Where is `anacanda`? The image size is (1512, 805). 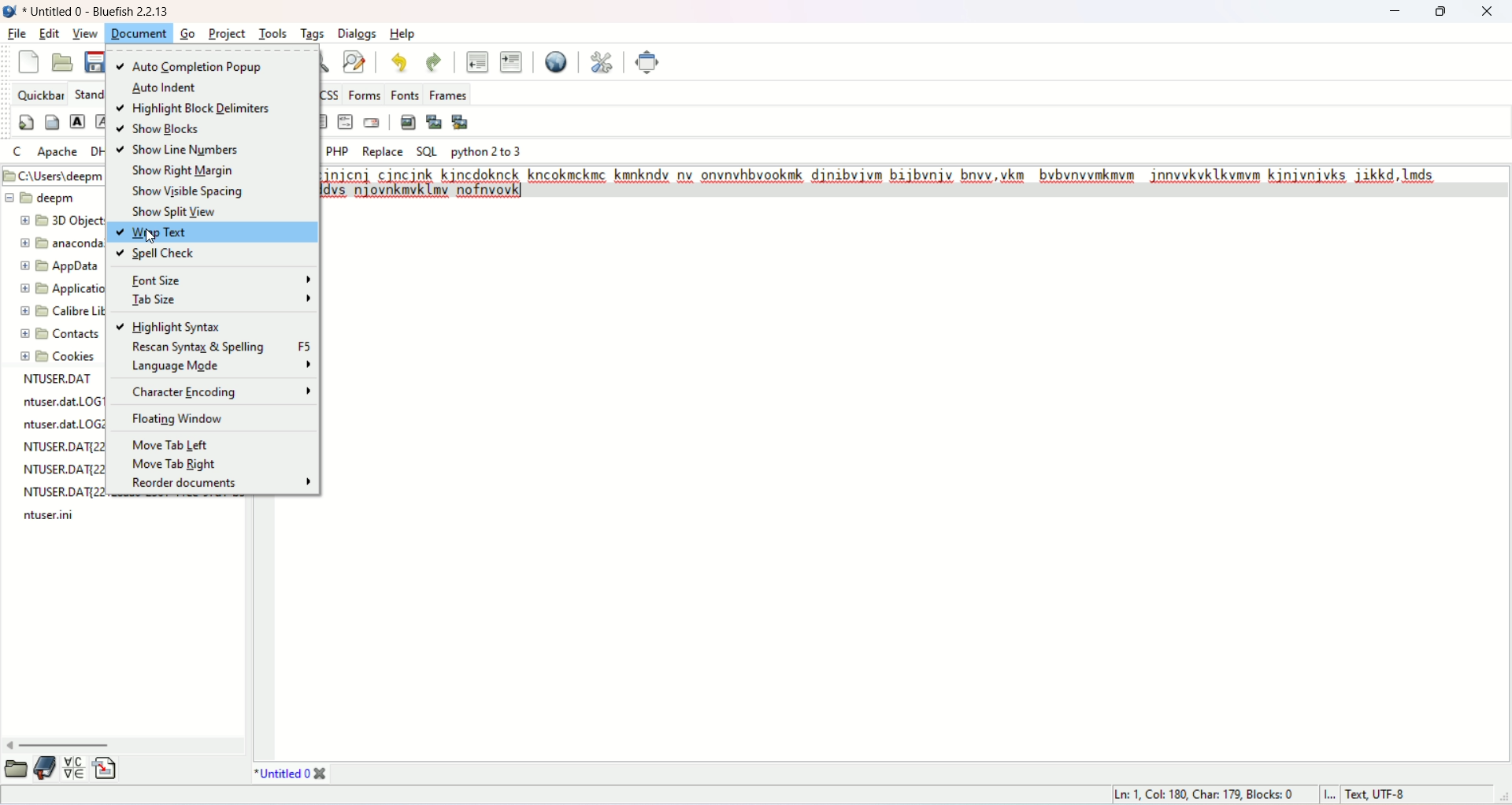 anacanda is located at coordinates (60, 244).